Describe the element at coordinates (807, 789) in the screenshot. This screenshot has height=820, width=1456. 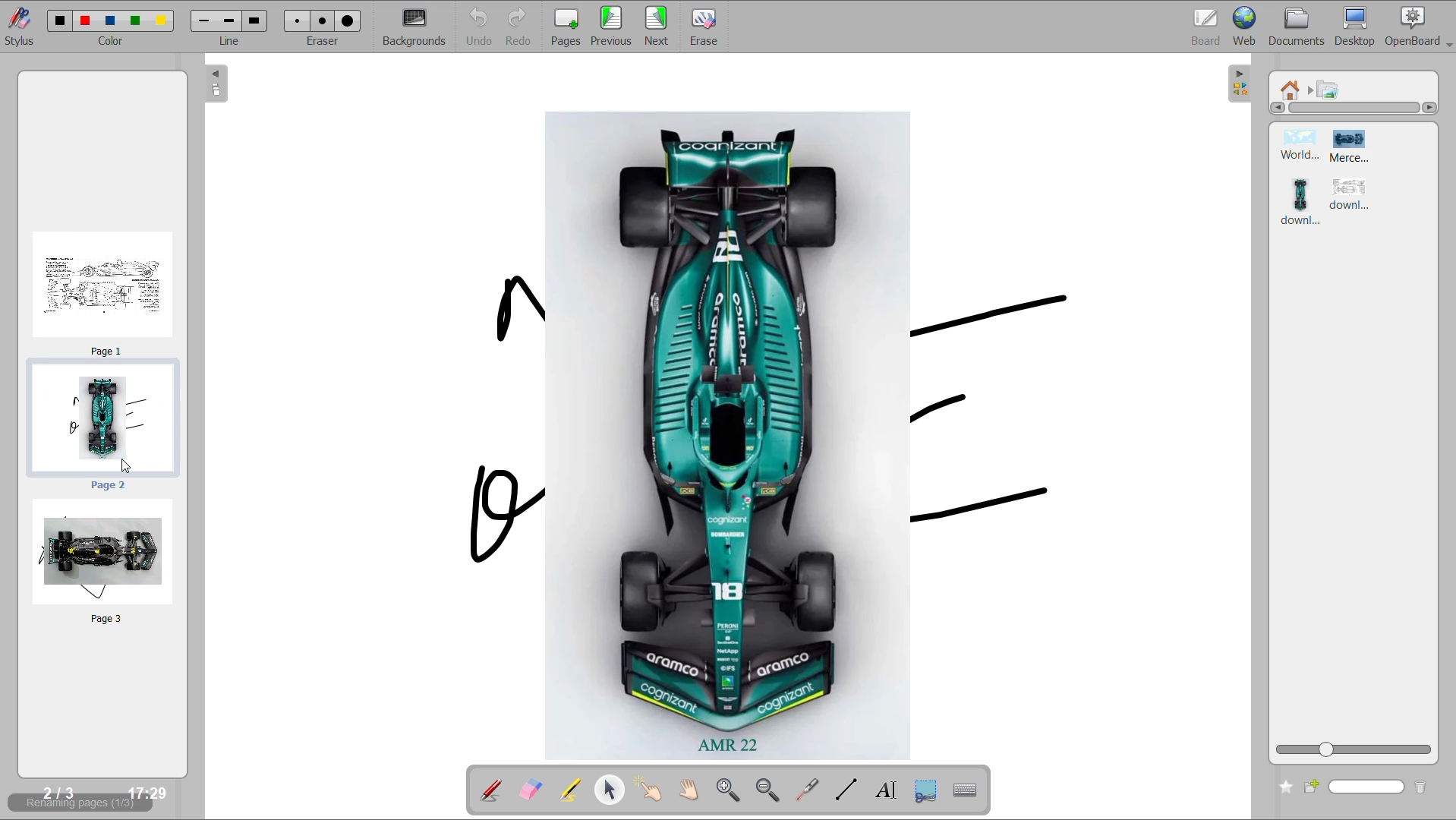
I see `virtual laser pointer` at that location.